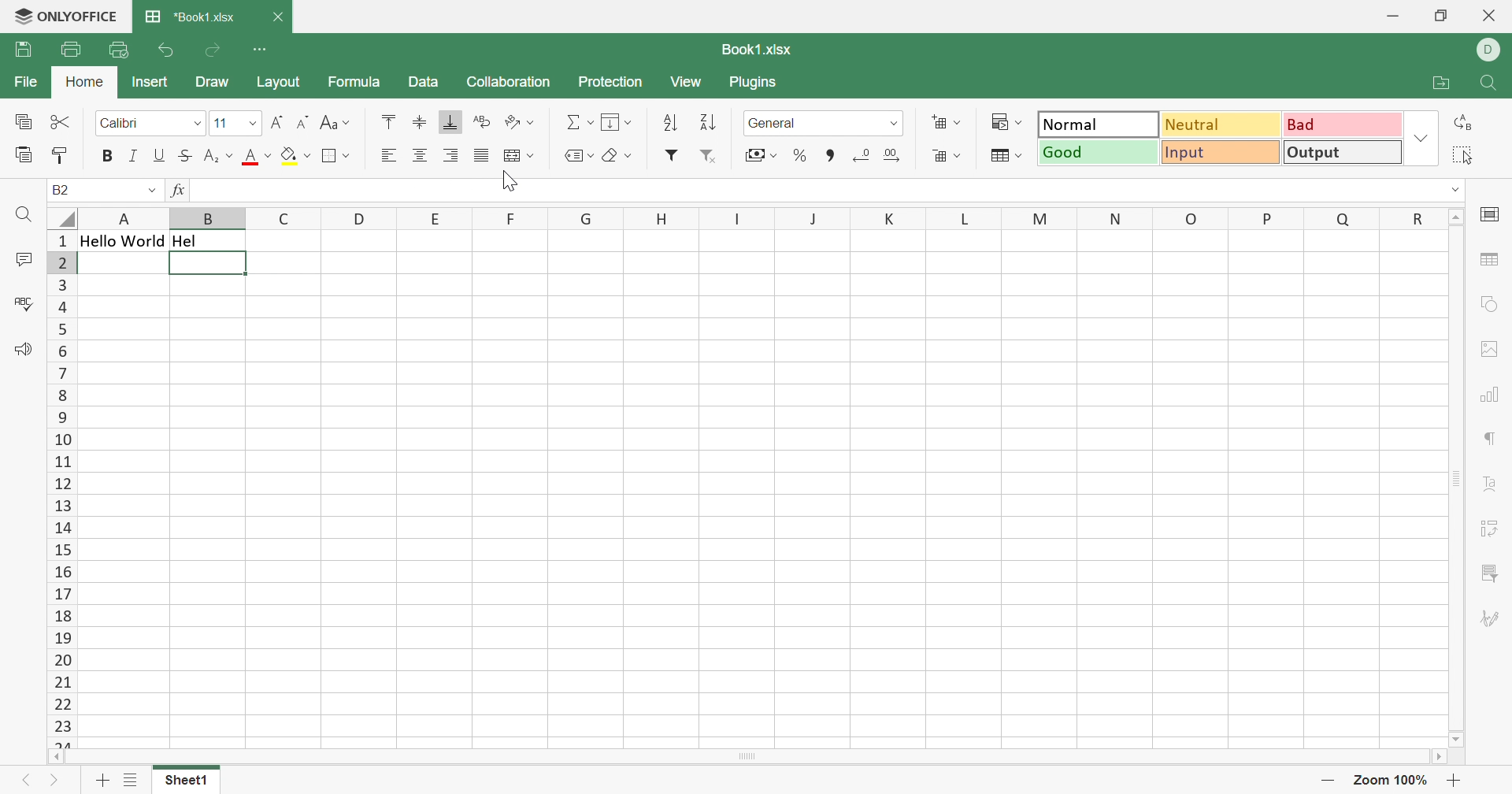 The image size is (1512, 794). I want to click on Close, so click(279, 19).